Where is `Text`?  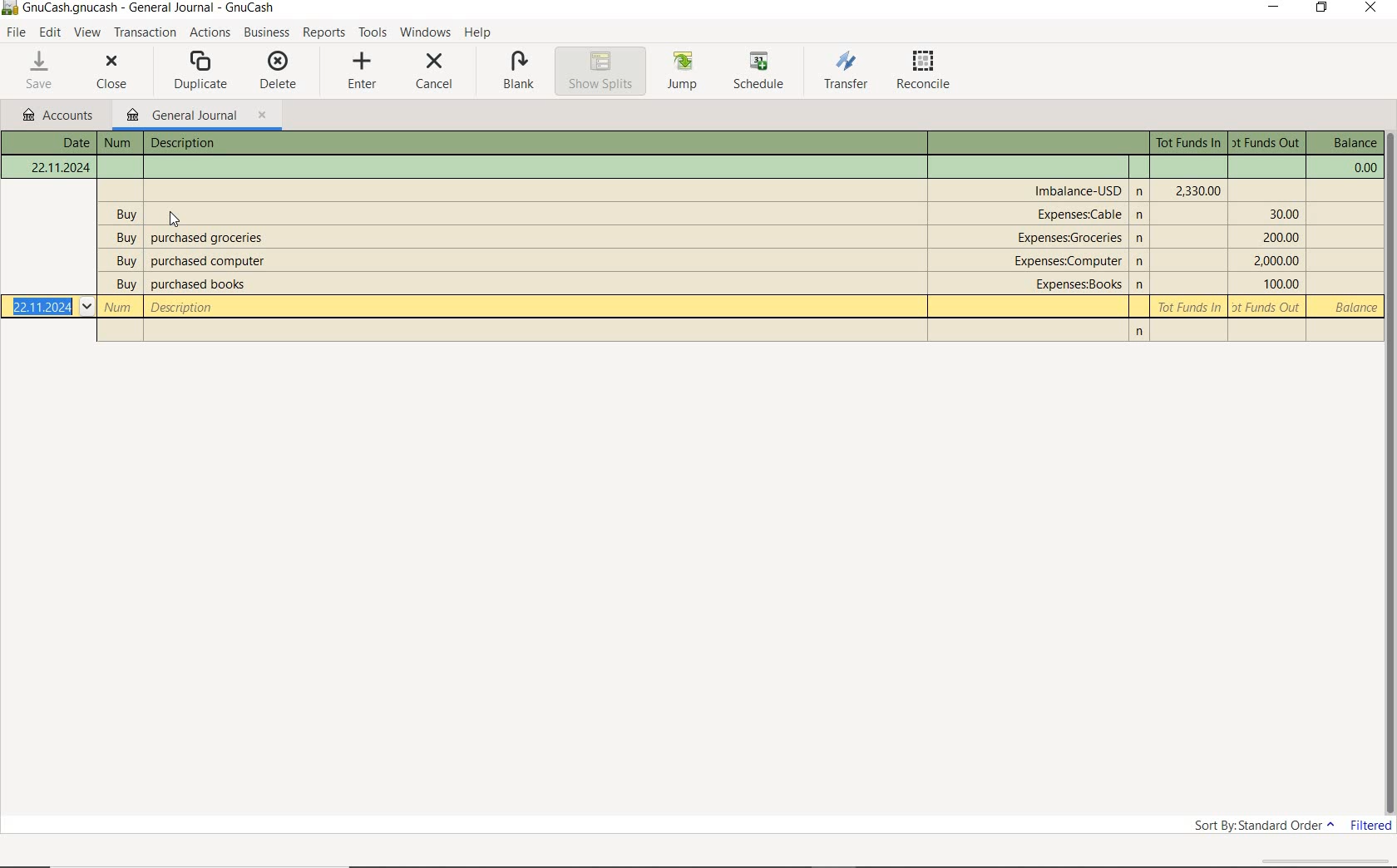
Text is located at coordinates (151, 8).